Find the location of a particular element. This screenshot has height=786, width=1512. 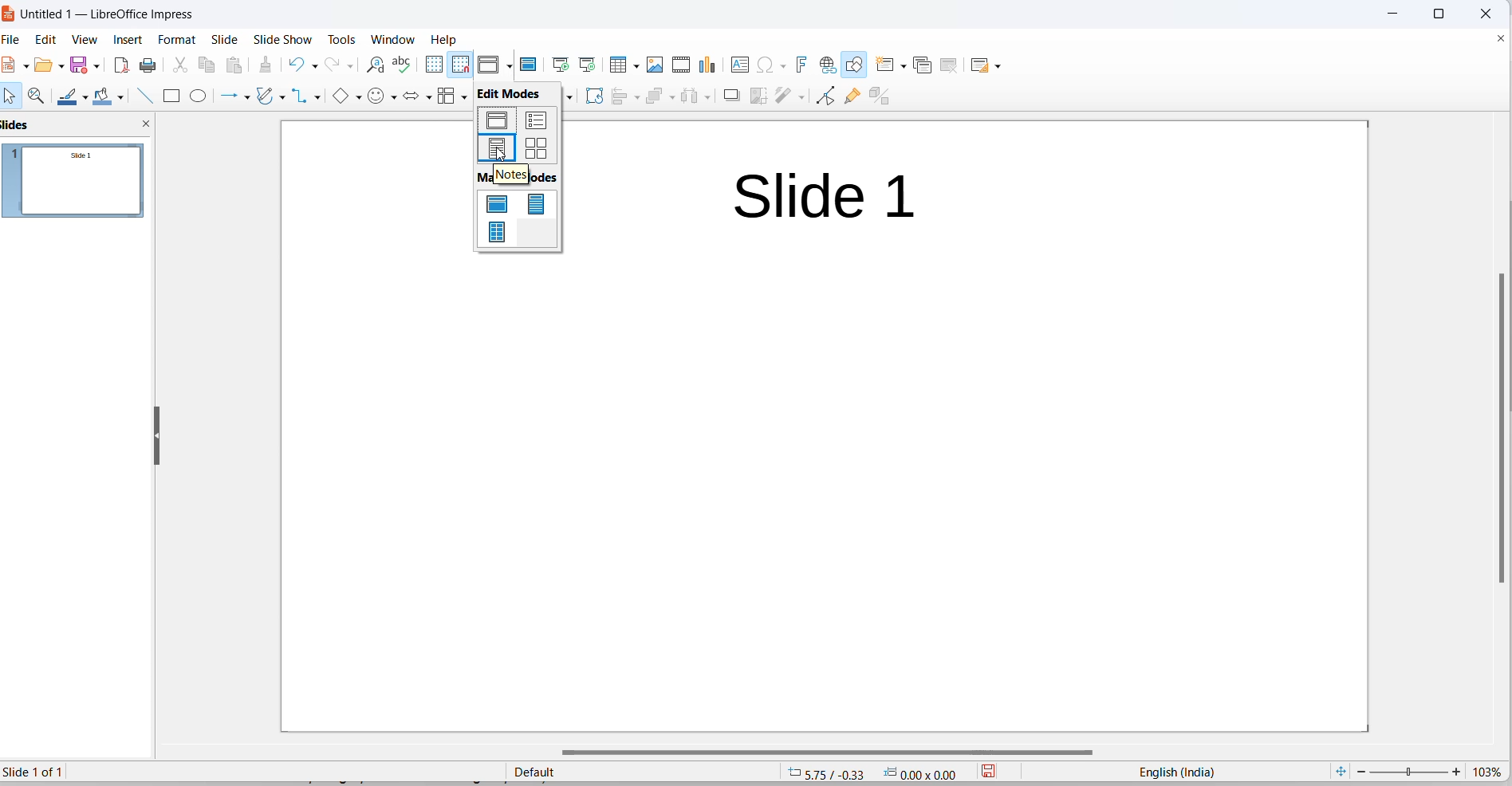

display views options dropdown button is located at coordinates (512, 65).